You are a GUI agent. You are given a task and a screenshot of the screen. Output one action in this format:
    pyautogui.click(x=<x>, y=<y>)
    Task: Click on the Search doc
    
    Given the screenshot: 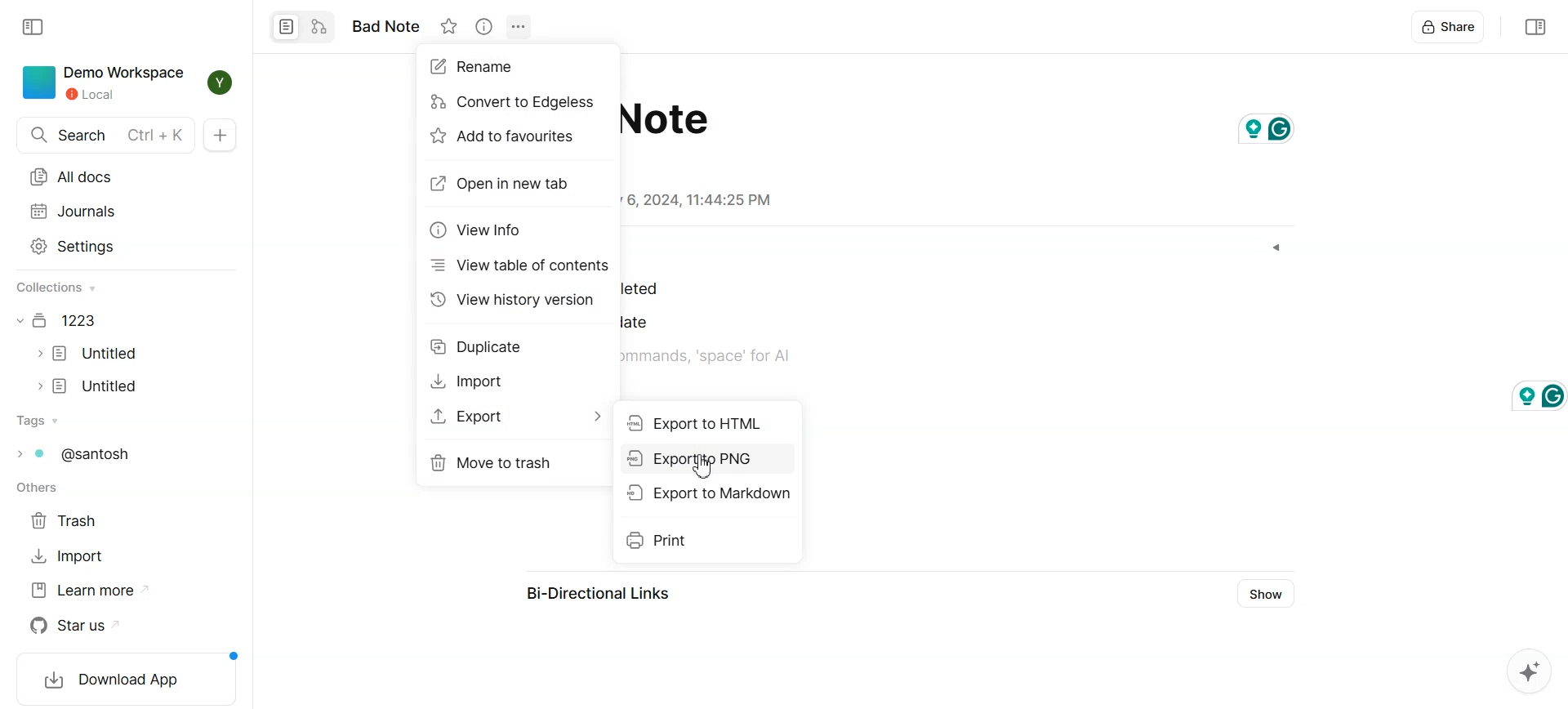 What is the action you would take?
    pyautogui.click(x=106, y=136)
    